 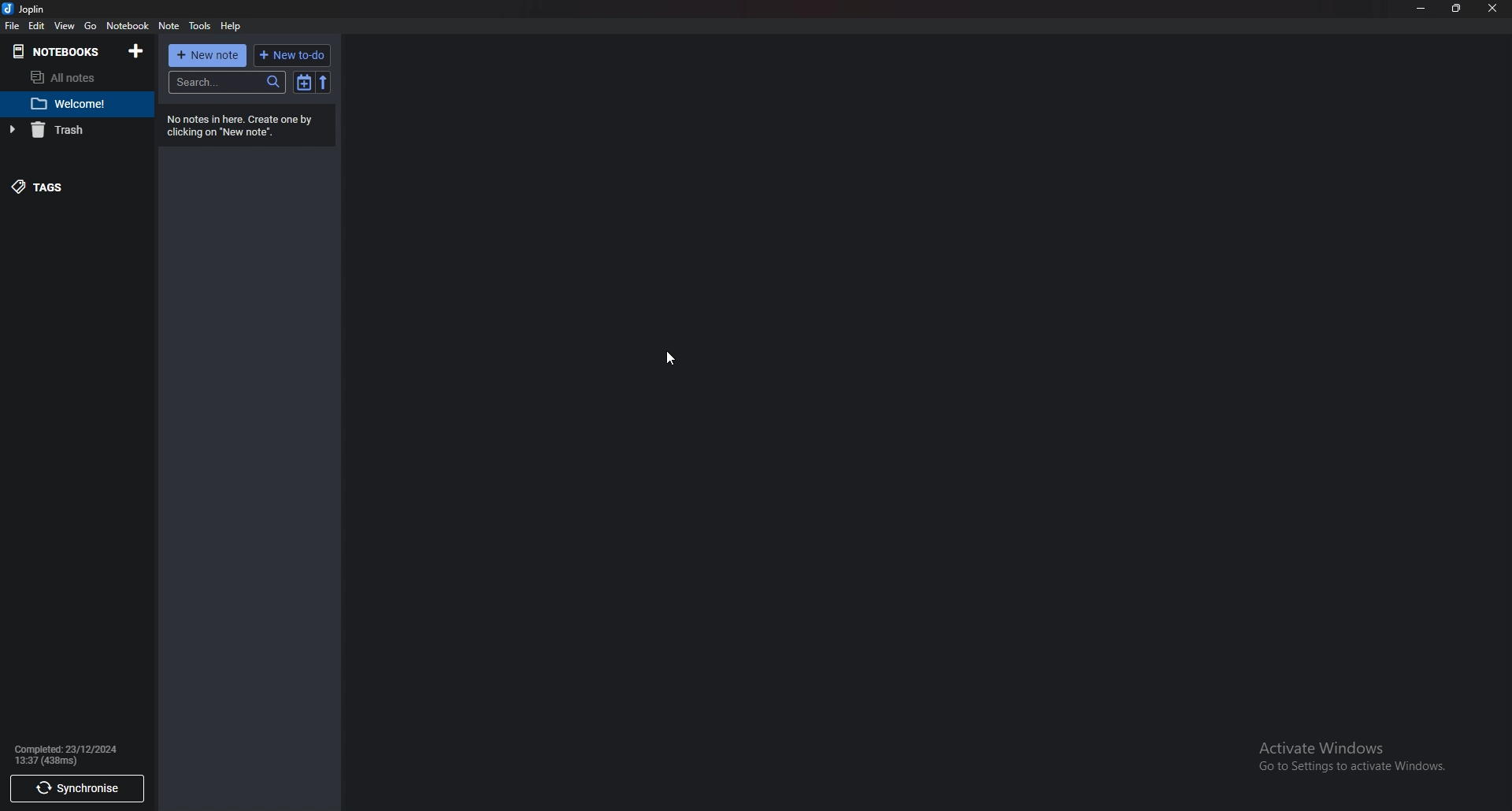 What do you see at coordinates (56, 52) in the screenshot?
I see `Notebook` at bounding box center [56, 52].